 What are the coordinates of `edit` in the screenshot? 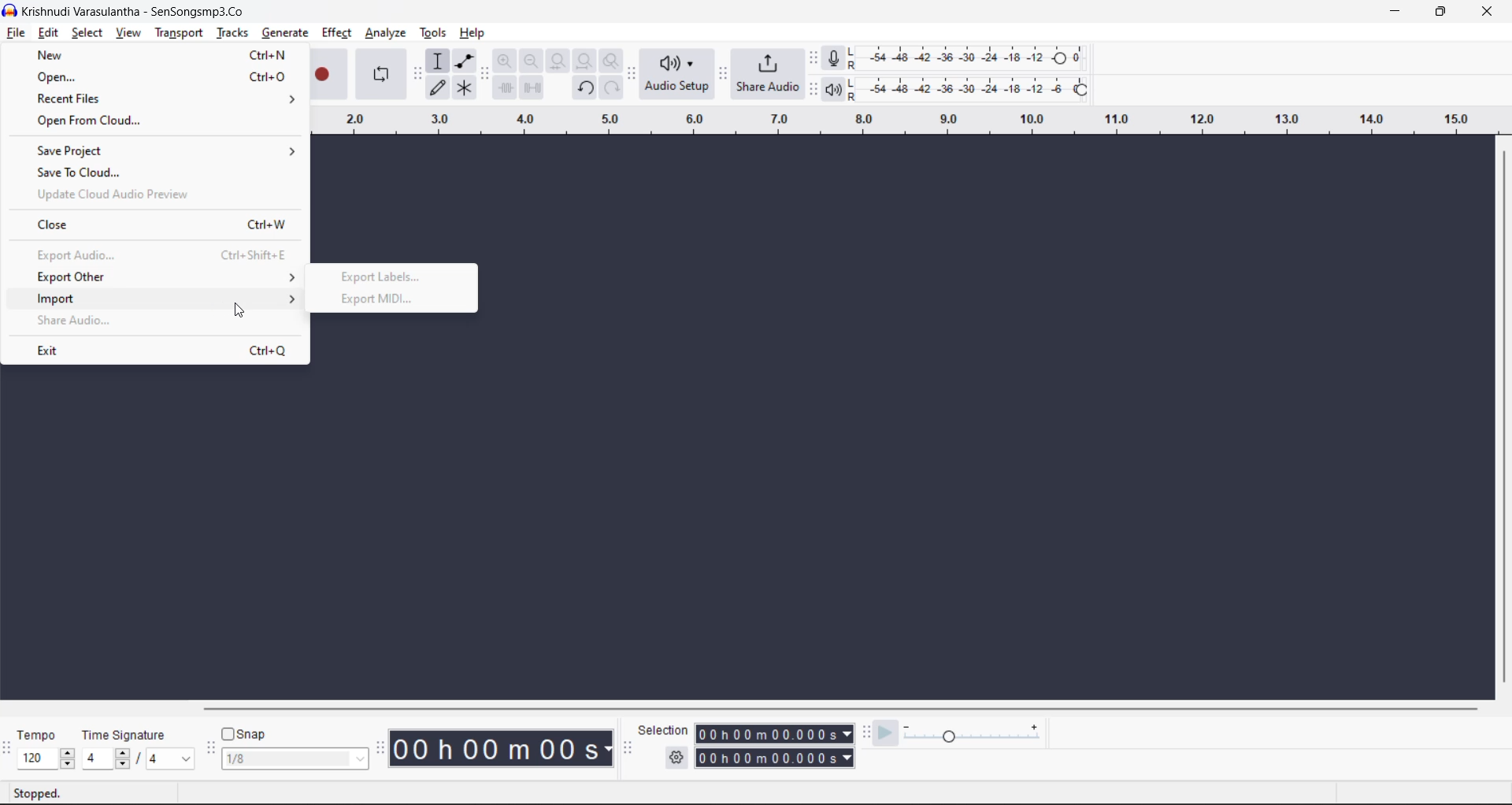 It's located at (49, 33).